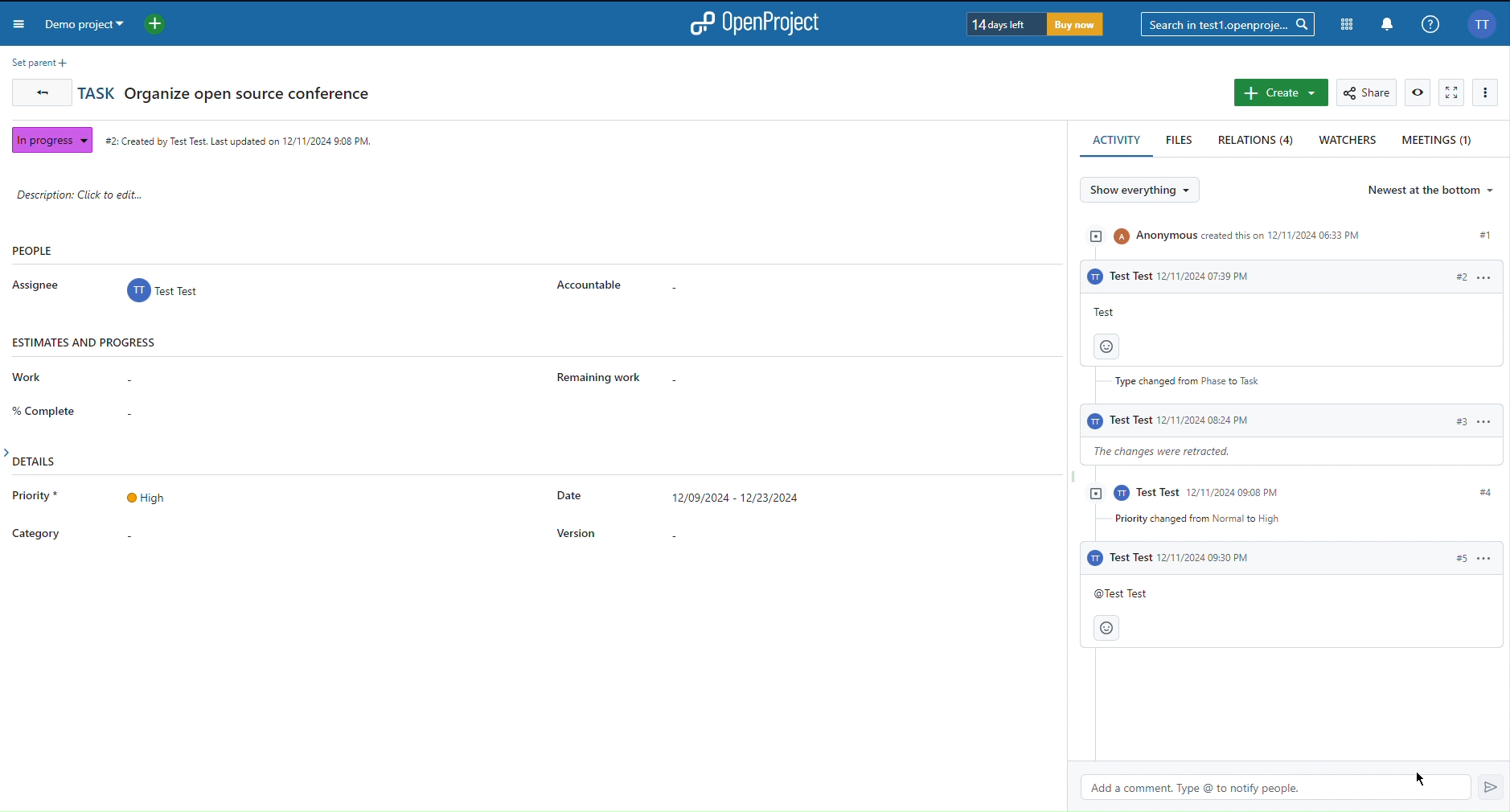 This screenshot has width=1510, height=812. What do you see at coordinates (761, 23) in the screenshot?
I see `OpenProject` at bounding box center [761, 23].